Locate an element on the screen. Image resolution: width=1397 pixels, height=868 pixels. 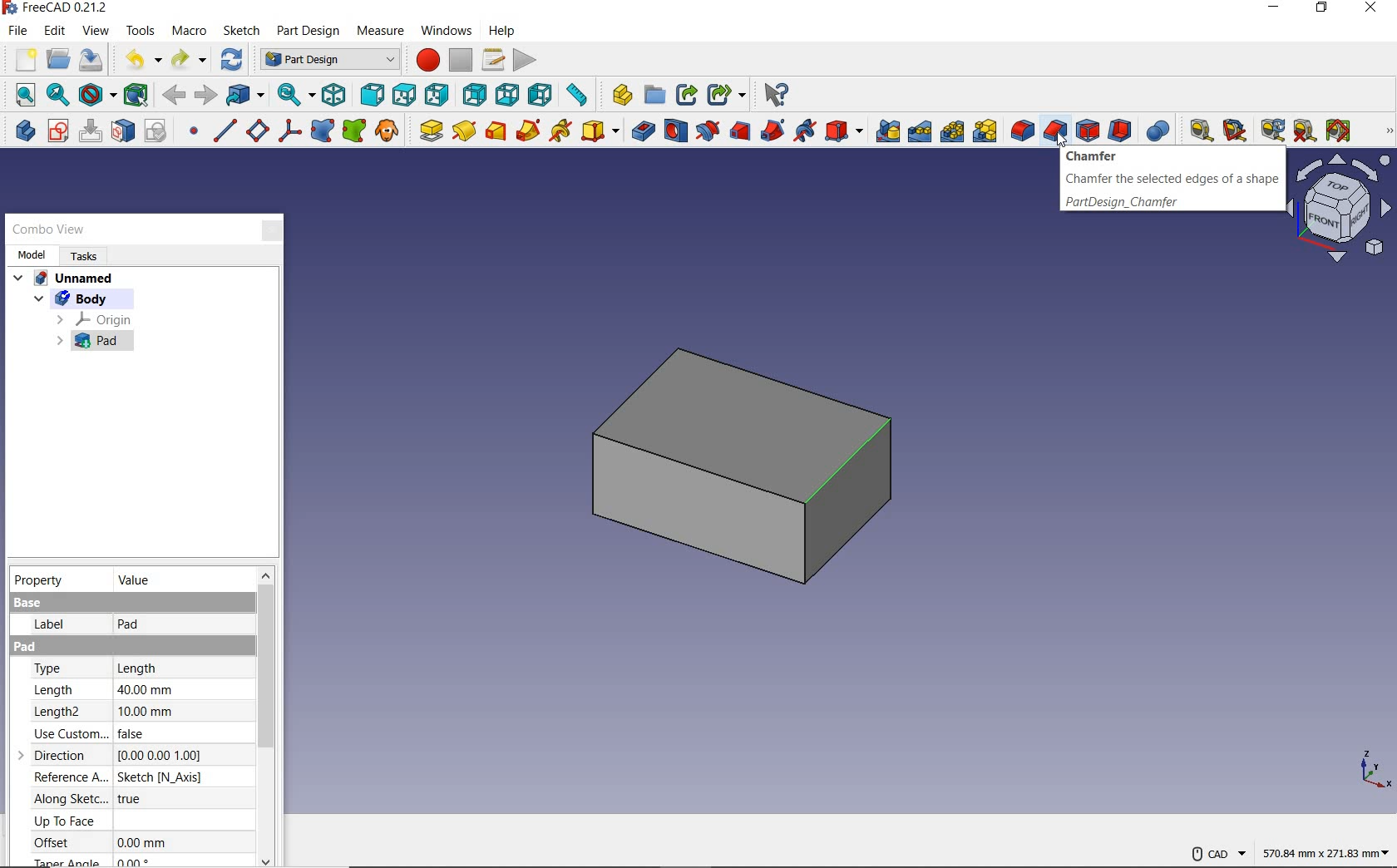
xyz view is located at coordinates (1372, 769).